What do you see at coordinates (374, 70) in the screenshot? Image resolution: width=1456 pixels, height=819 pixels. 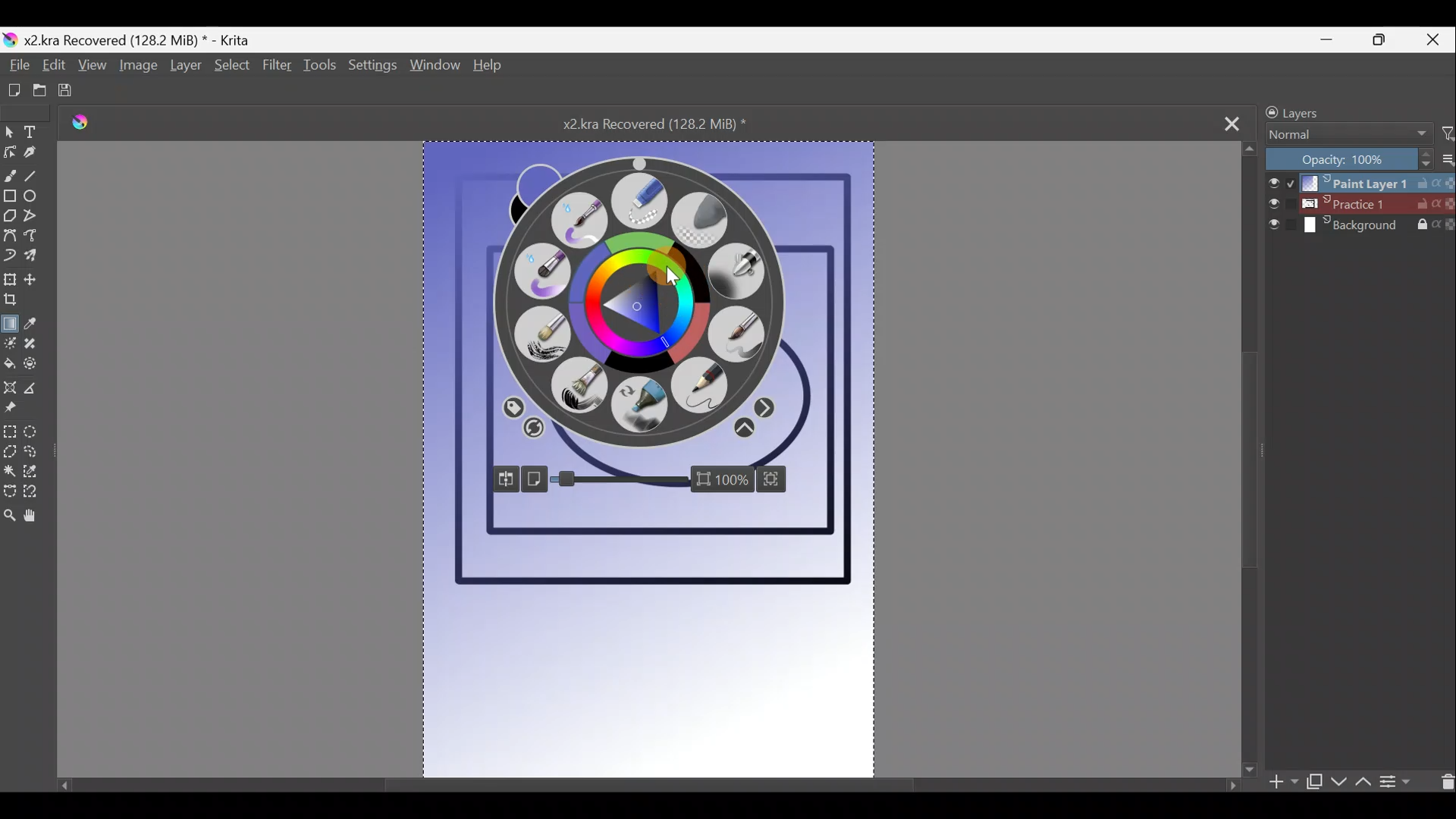 I see `Settings` at bounding box center [374, 70].